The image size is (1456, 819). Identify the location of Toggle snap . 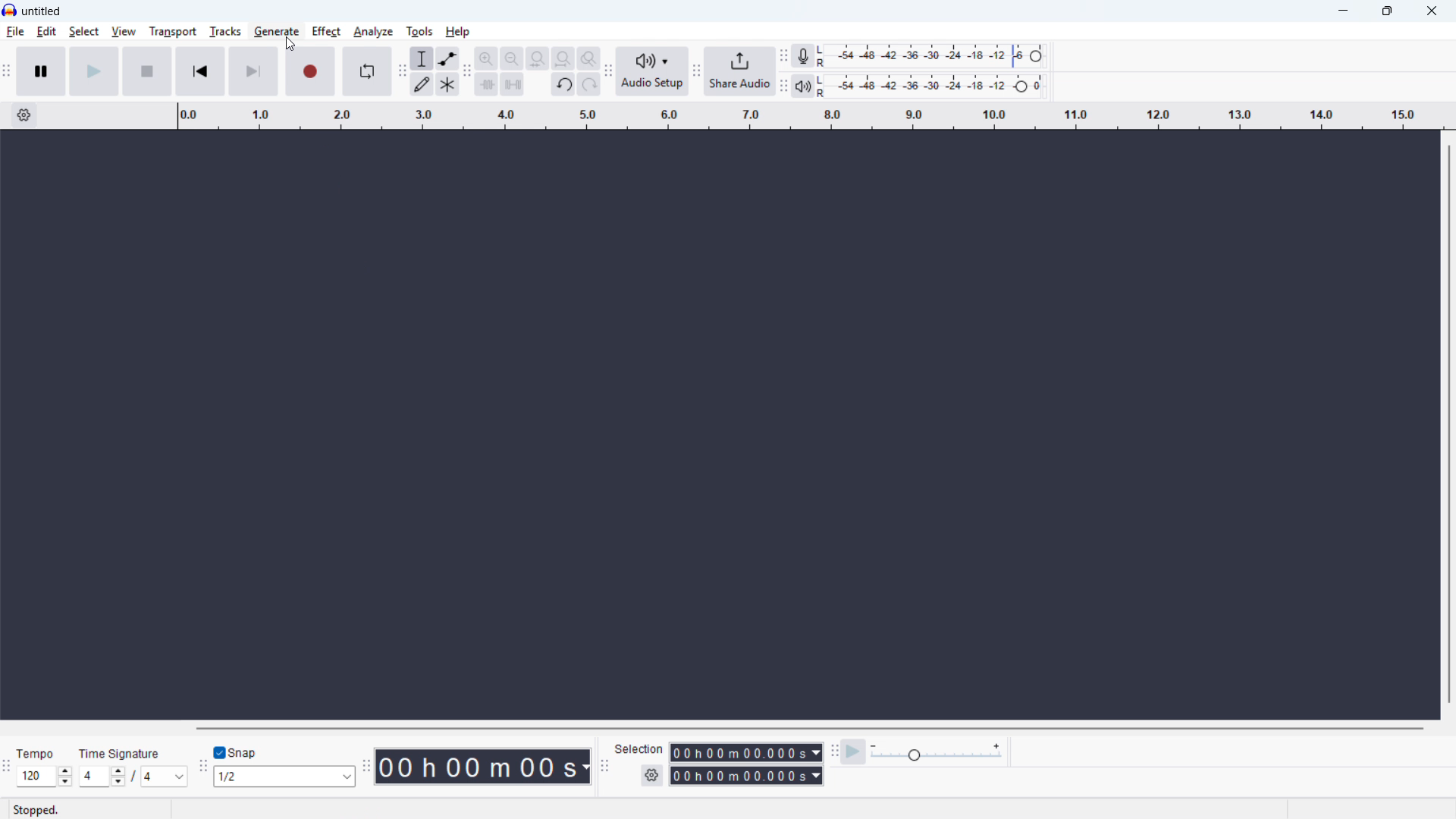
(240, 752).